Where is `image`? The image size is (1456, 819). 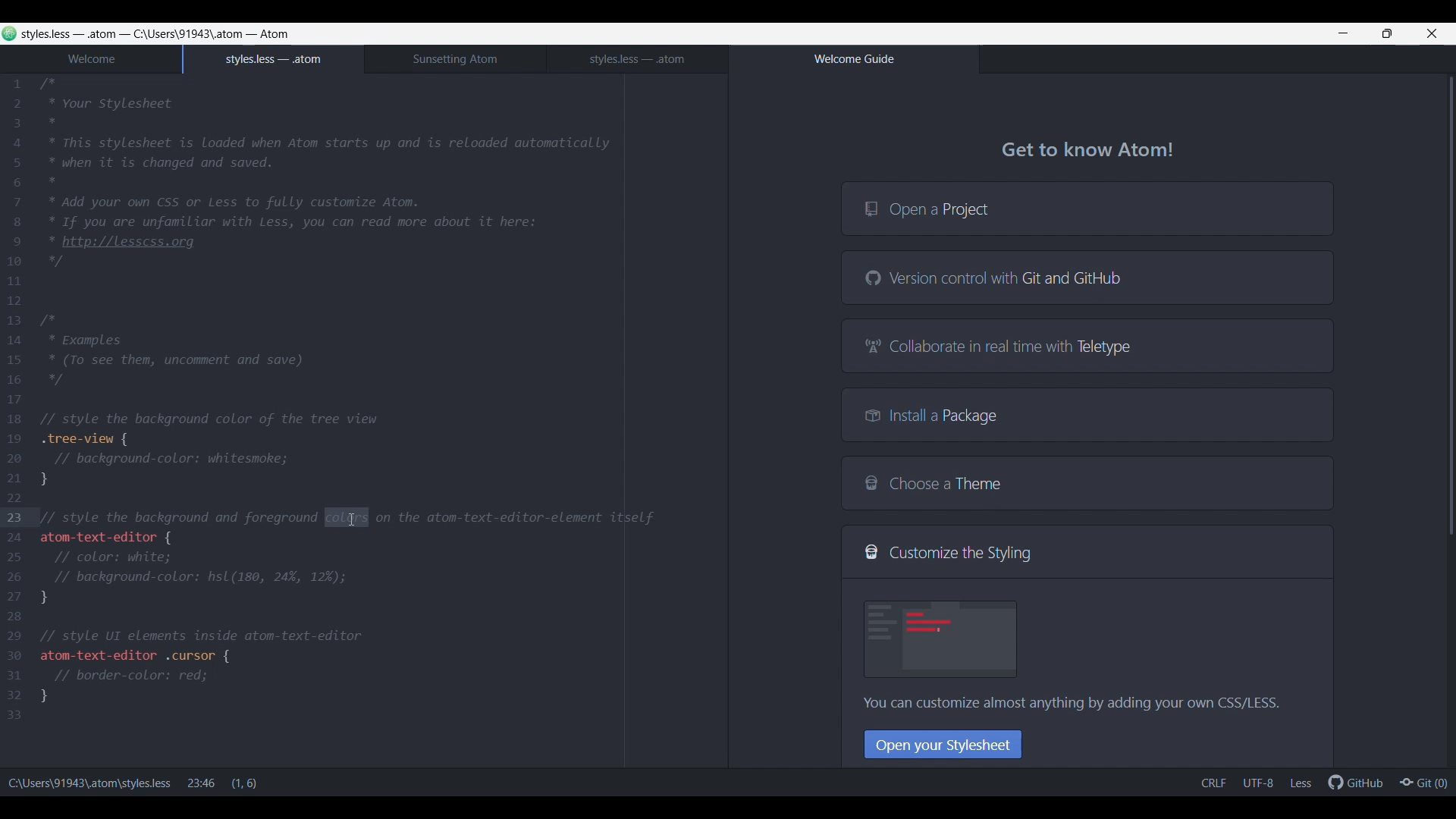 image is located at coordinates (942, 639).